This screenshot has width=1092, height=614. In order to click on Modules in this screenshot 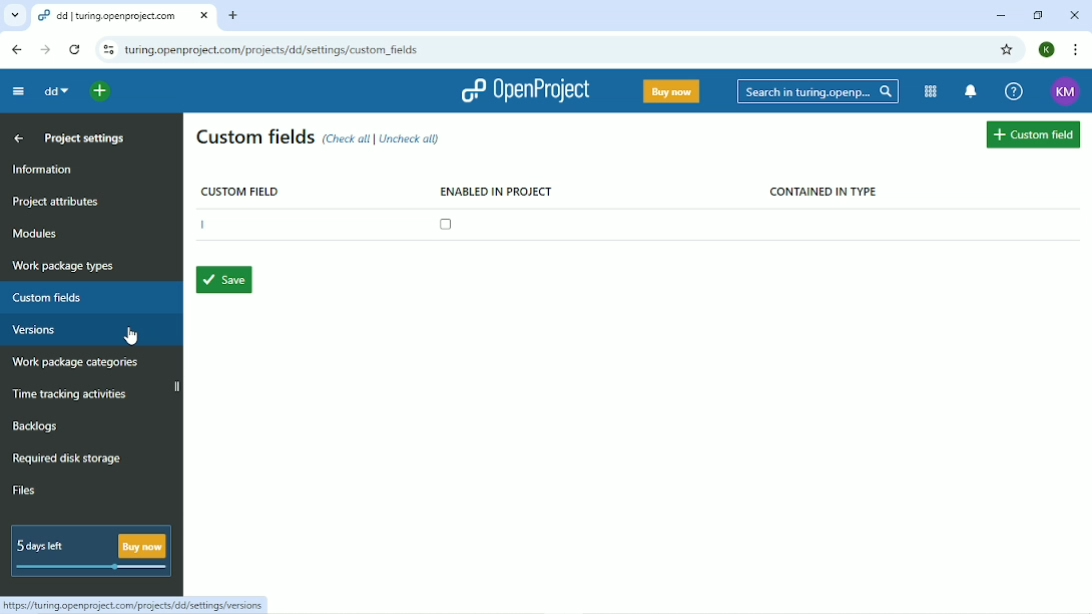, I will do `click(37, 234)`.